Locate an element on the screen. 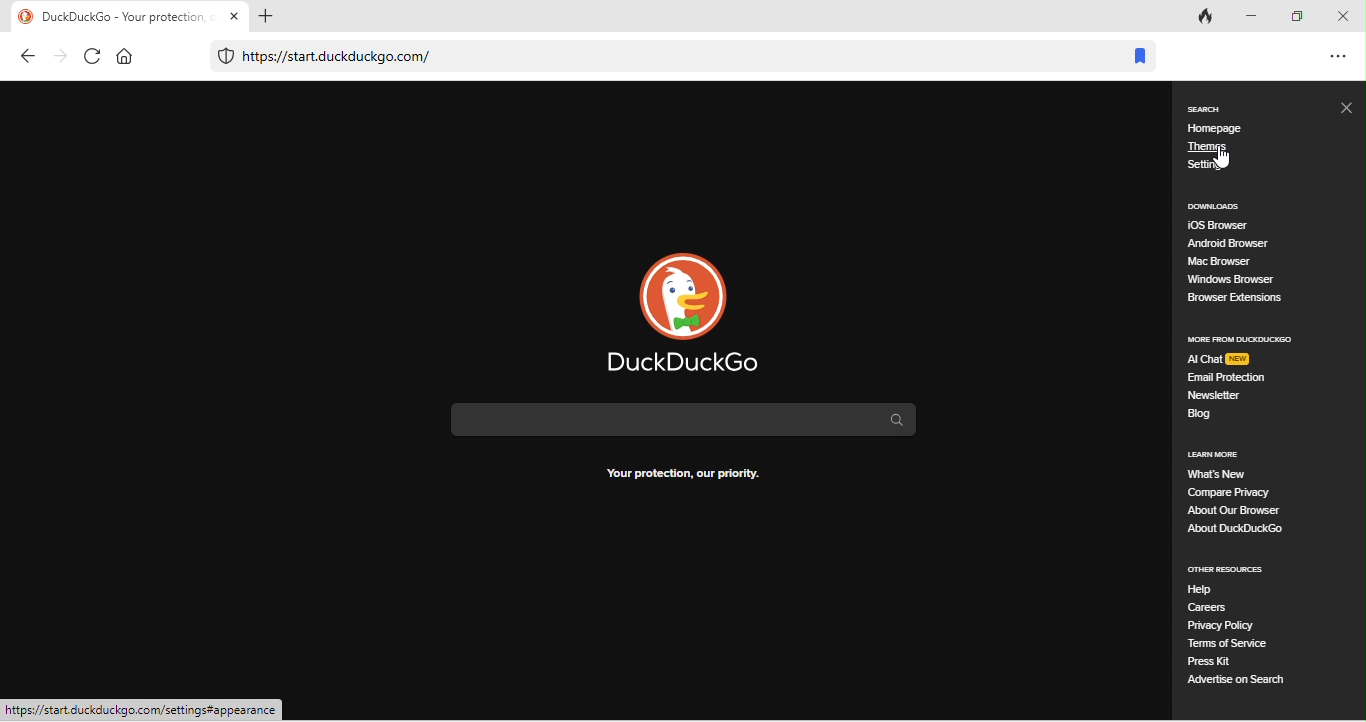  terms of service is located at coordinates (1234, 643).